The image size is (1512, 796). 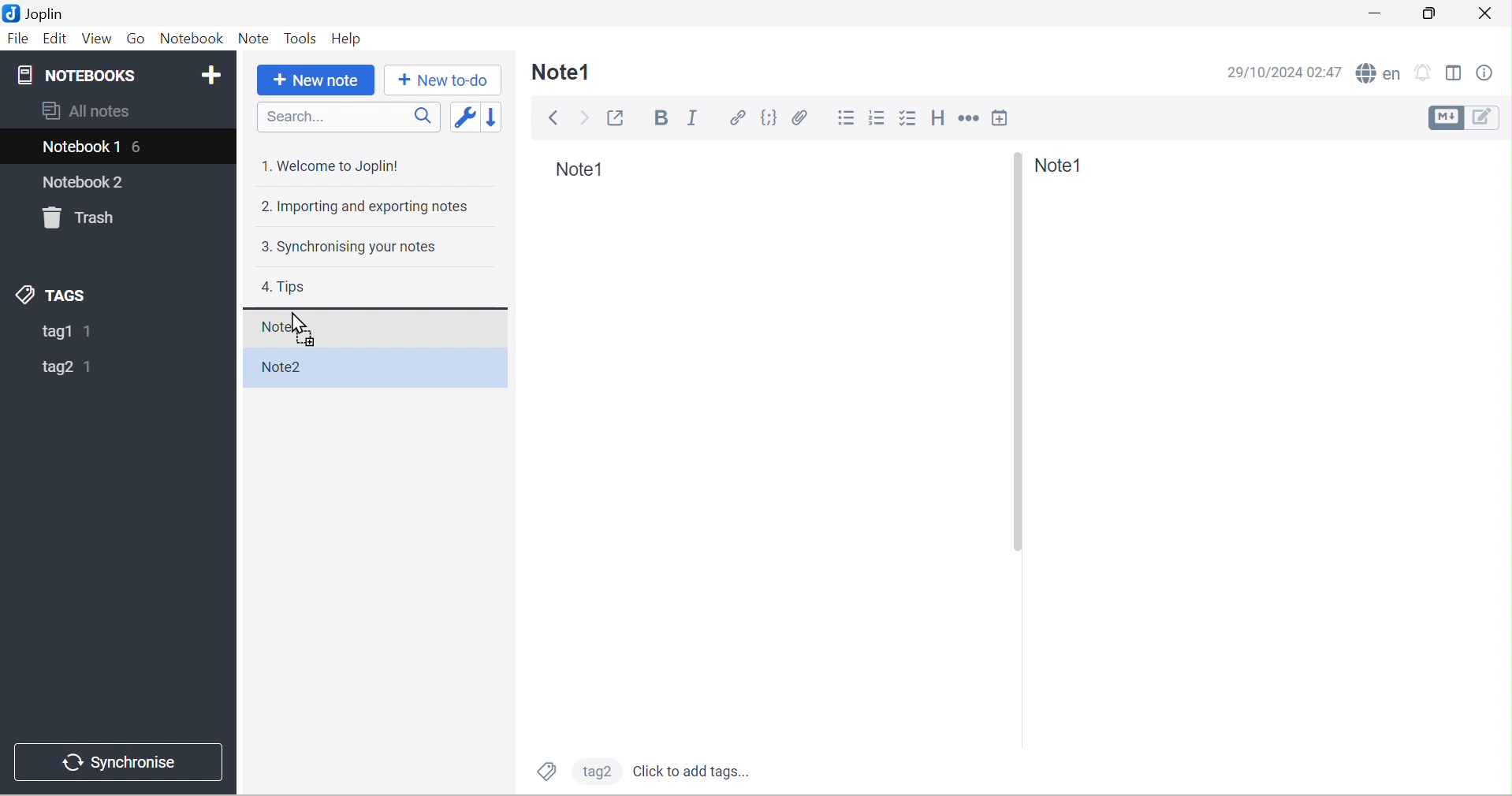 What do you see at coordinates (55, 40) in the screenshot?
I see `Edit` at bounding box center [55, 40].